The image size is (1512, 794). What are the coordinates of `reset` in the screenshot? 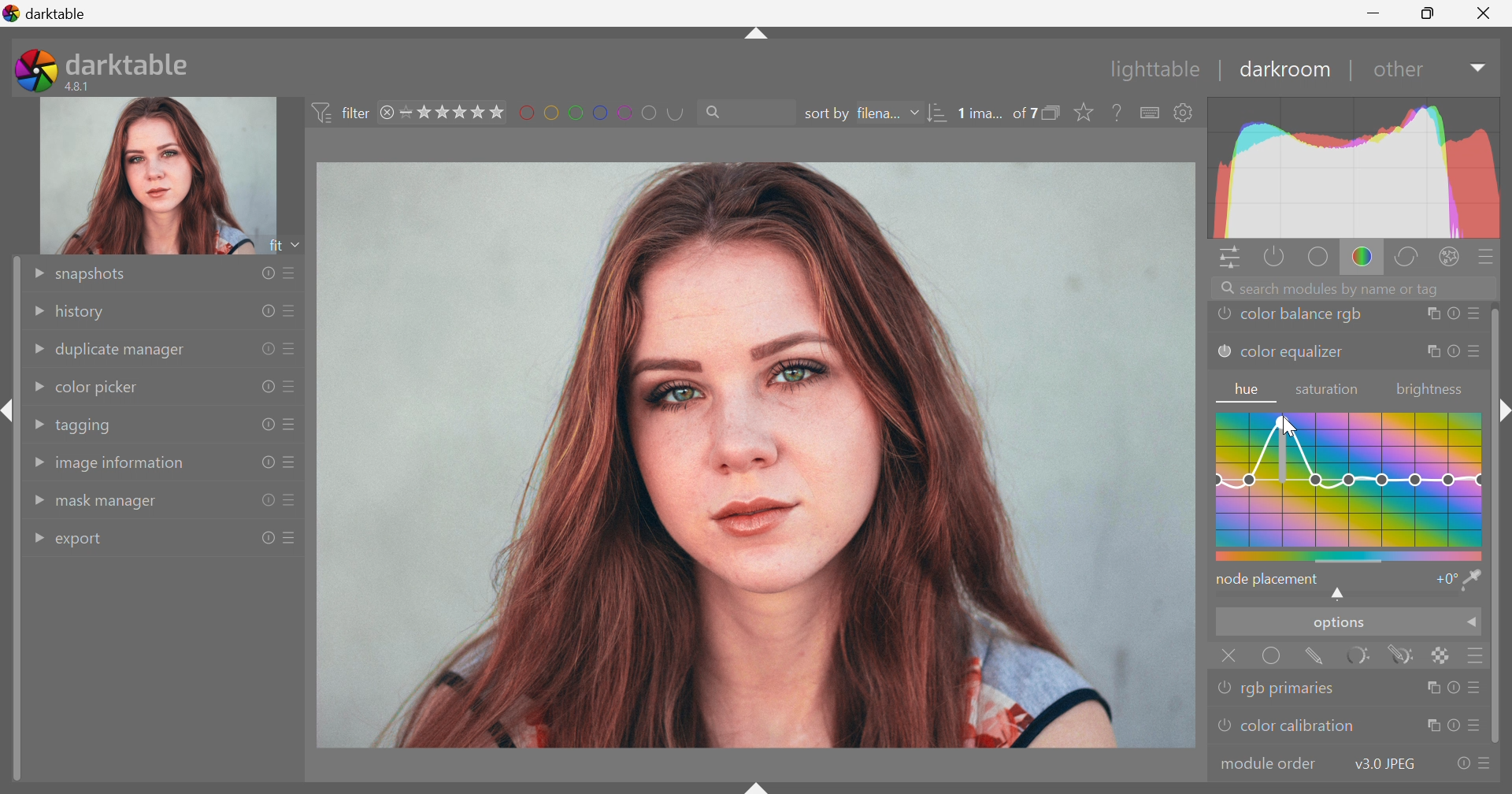 It's located at (1452, 352).